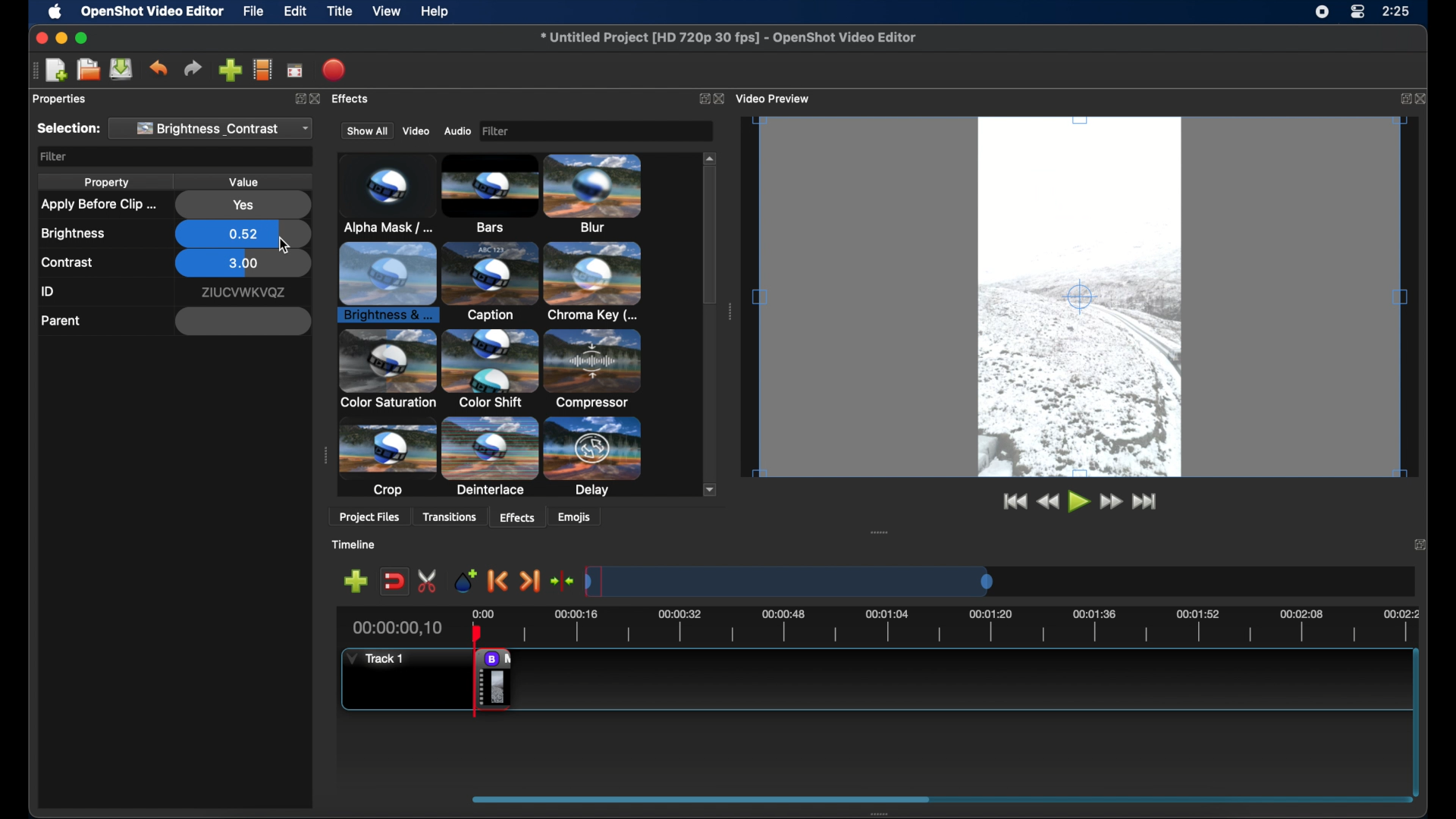  Describe the element at coordinates (88, 70) in the screenshot. I see `open project` at that location.